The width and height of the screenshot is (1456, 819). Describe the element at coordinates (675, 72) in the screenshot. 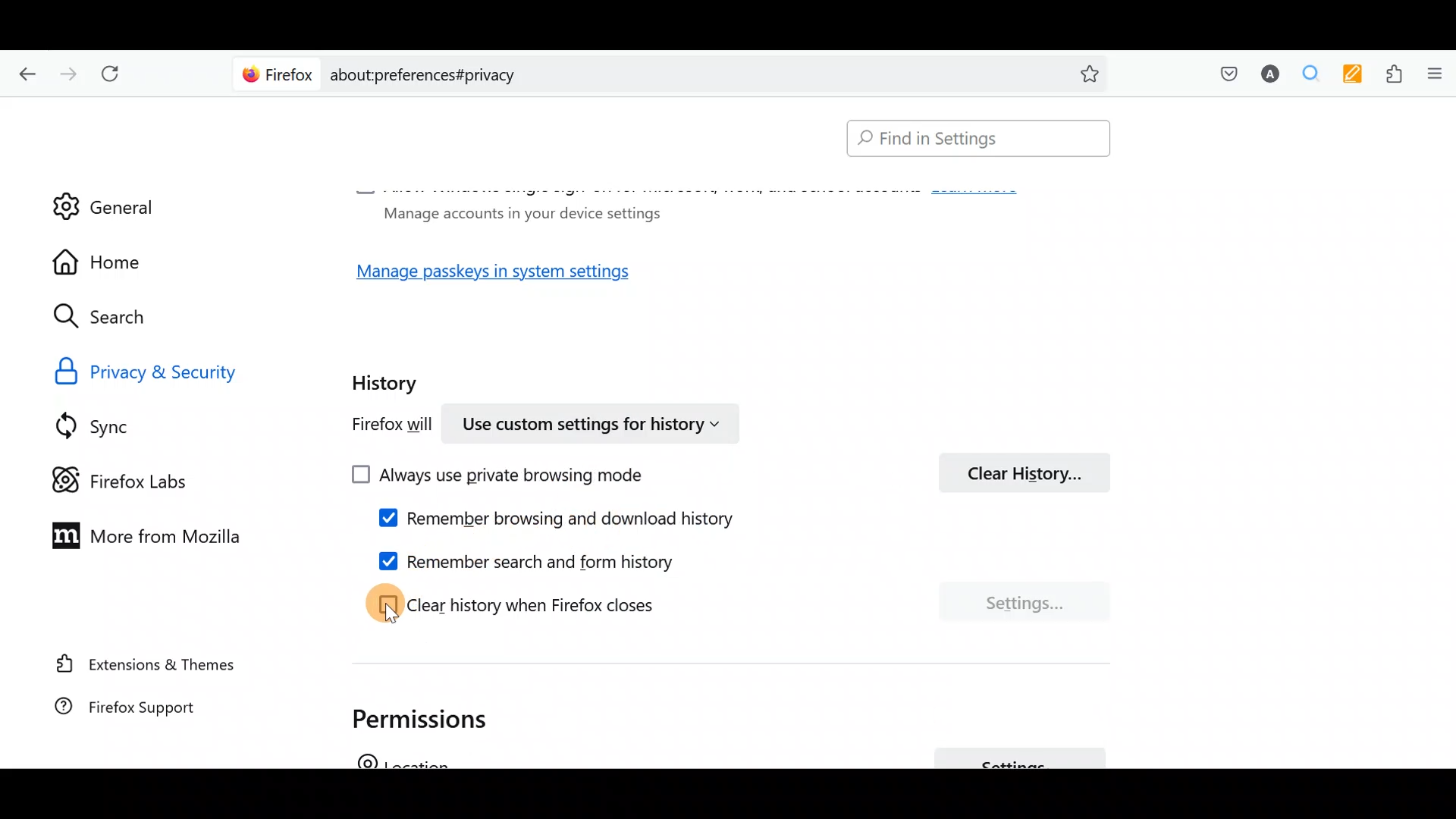

I see `Search bar` at that location.